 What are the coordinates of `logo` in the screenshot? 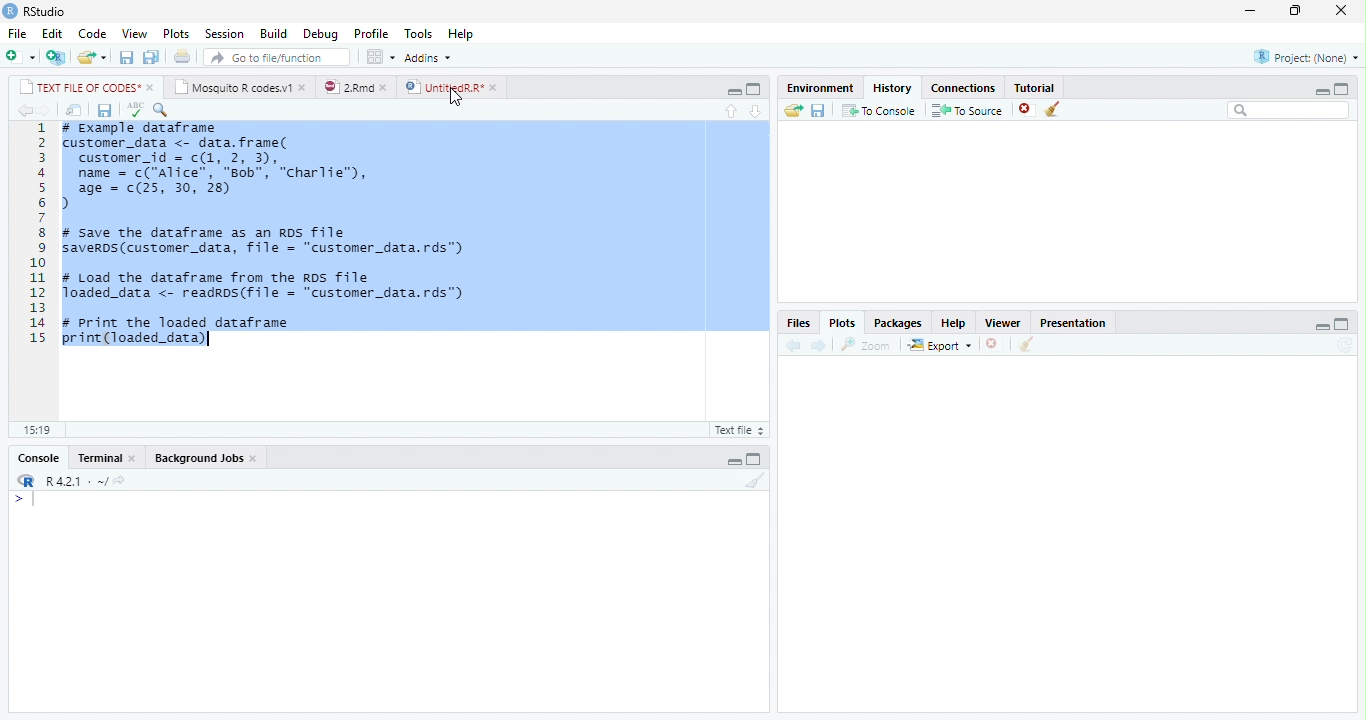 It's located at (9, 11).